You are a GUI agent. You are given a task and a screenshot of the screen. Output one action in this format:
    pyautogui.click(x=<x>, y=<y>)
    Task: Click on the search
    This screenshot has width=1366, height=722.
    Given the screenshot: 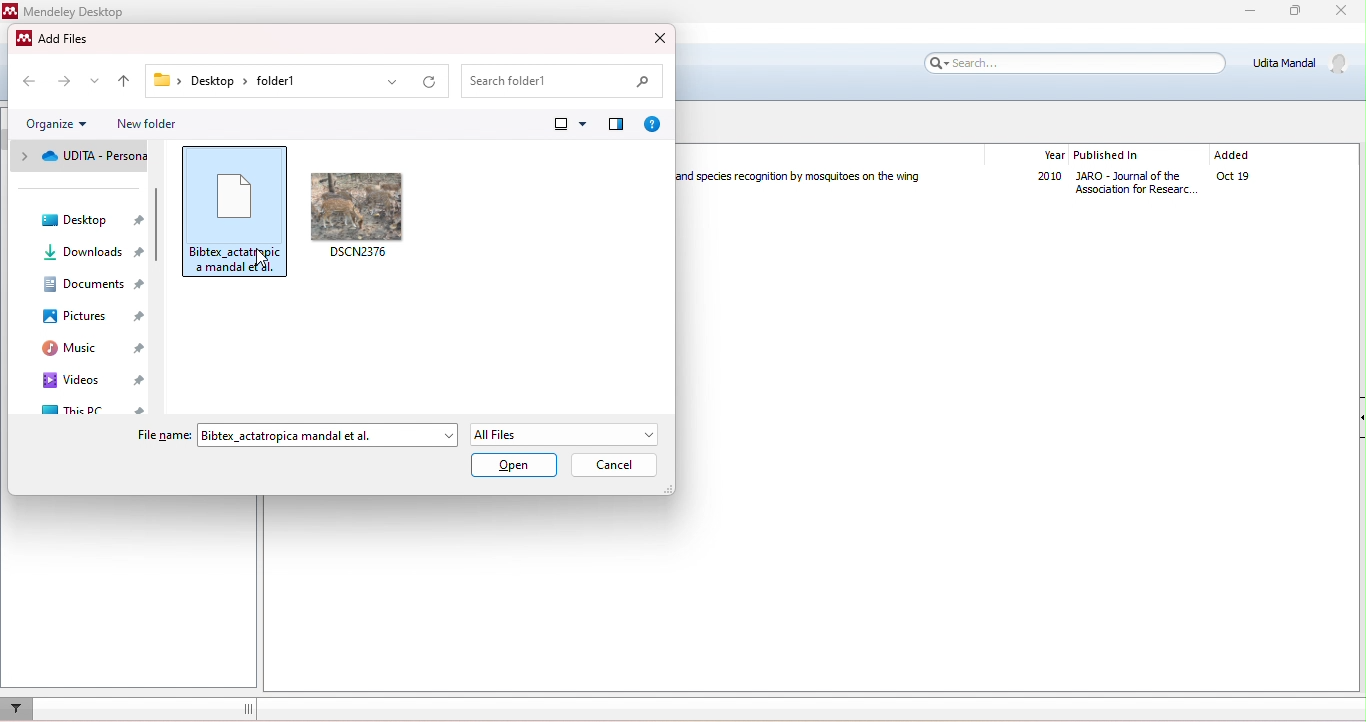 What is the action you would take?
    pyautogui.click(x=1073, y=65)
    